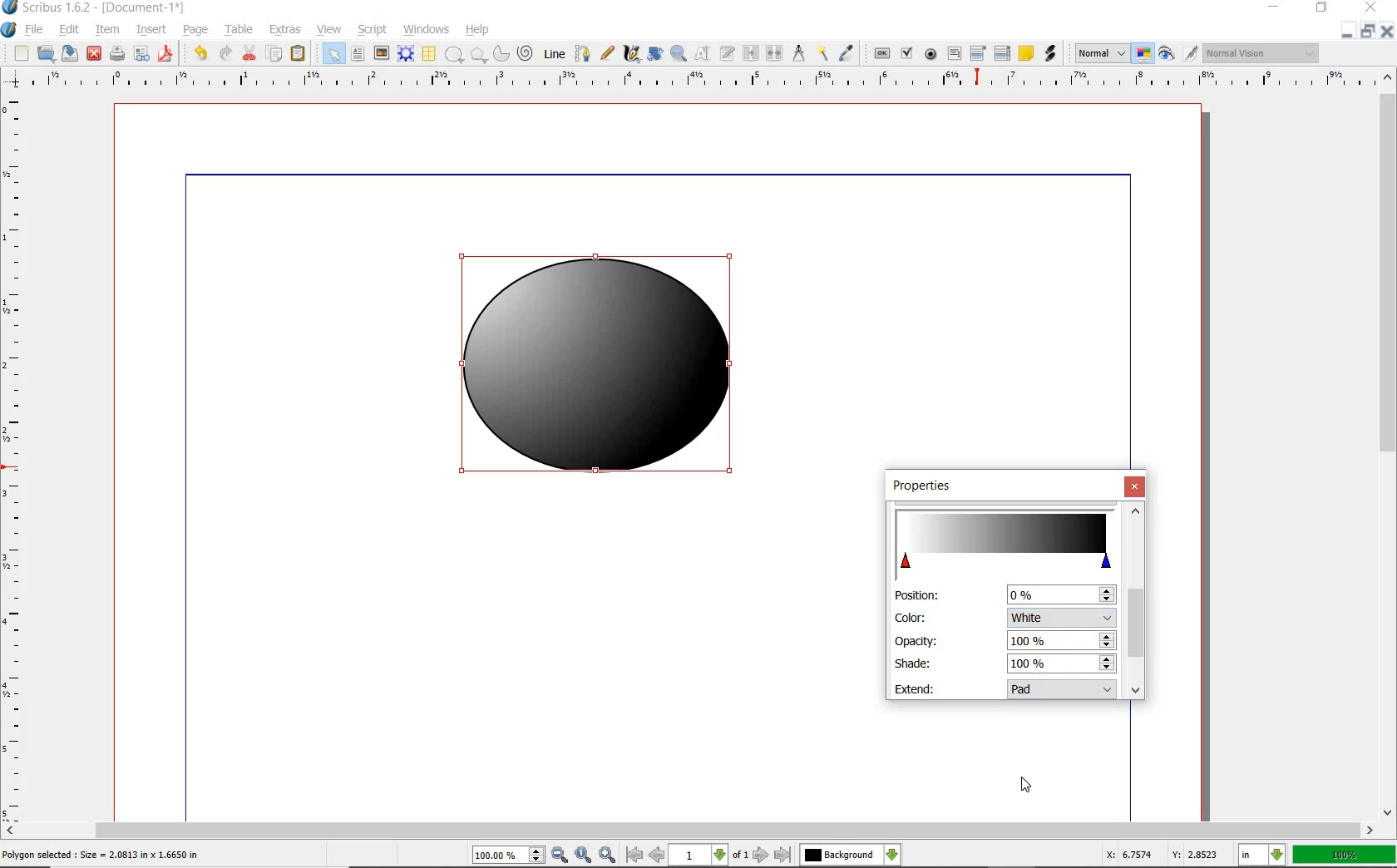 This screenshot has width=1397, height=868. What do you see at coordinates (70, 53) in the screenshot?
I see `SAVE` at bounding box center [70, 53].